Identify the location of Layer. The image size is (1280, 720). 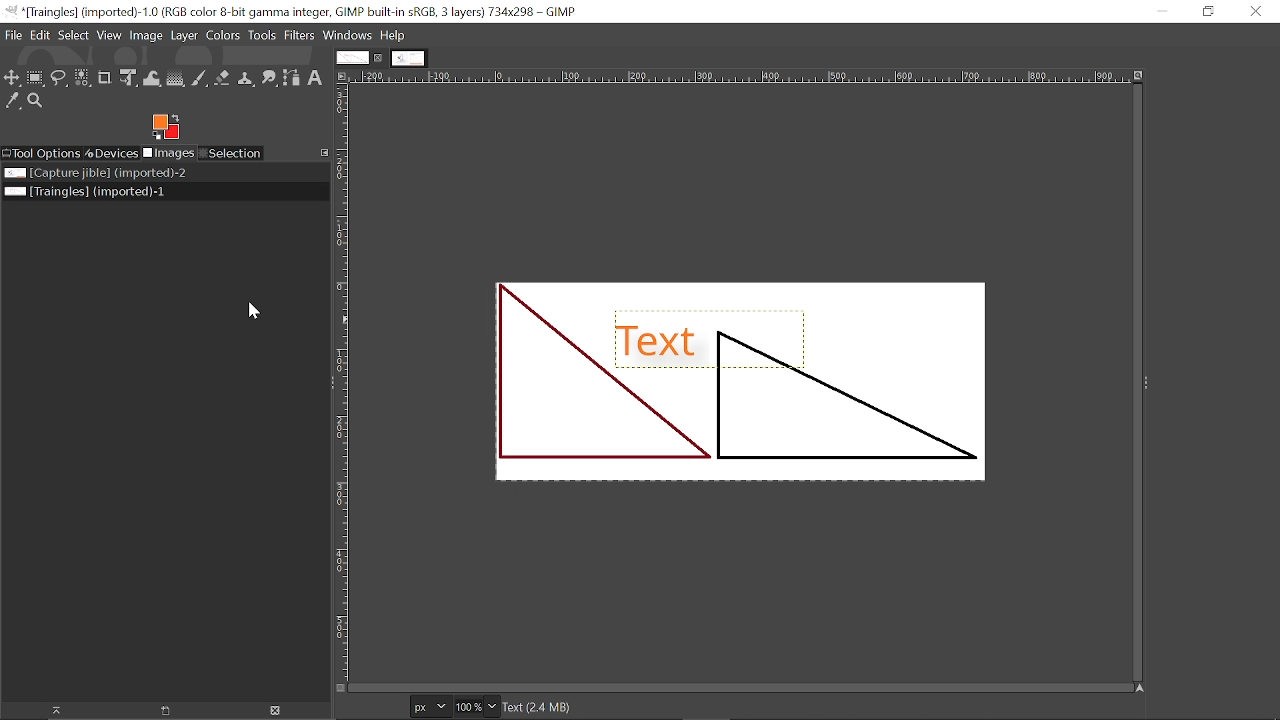
(184, 36).